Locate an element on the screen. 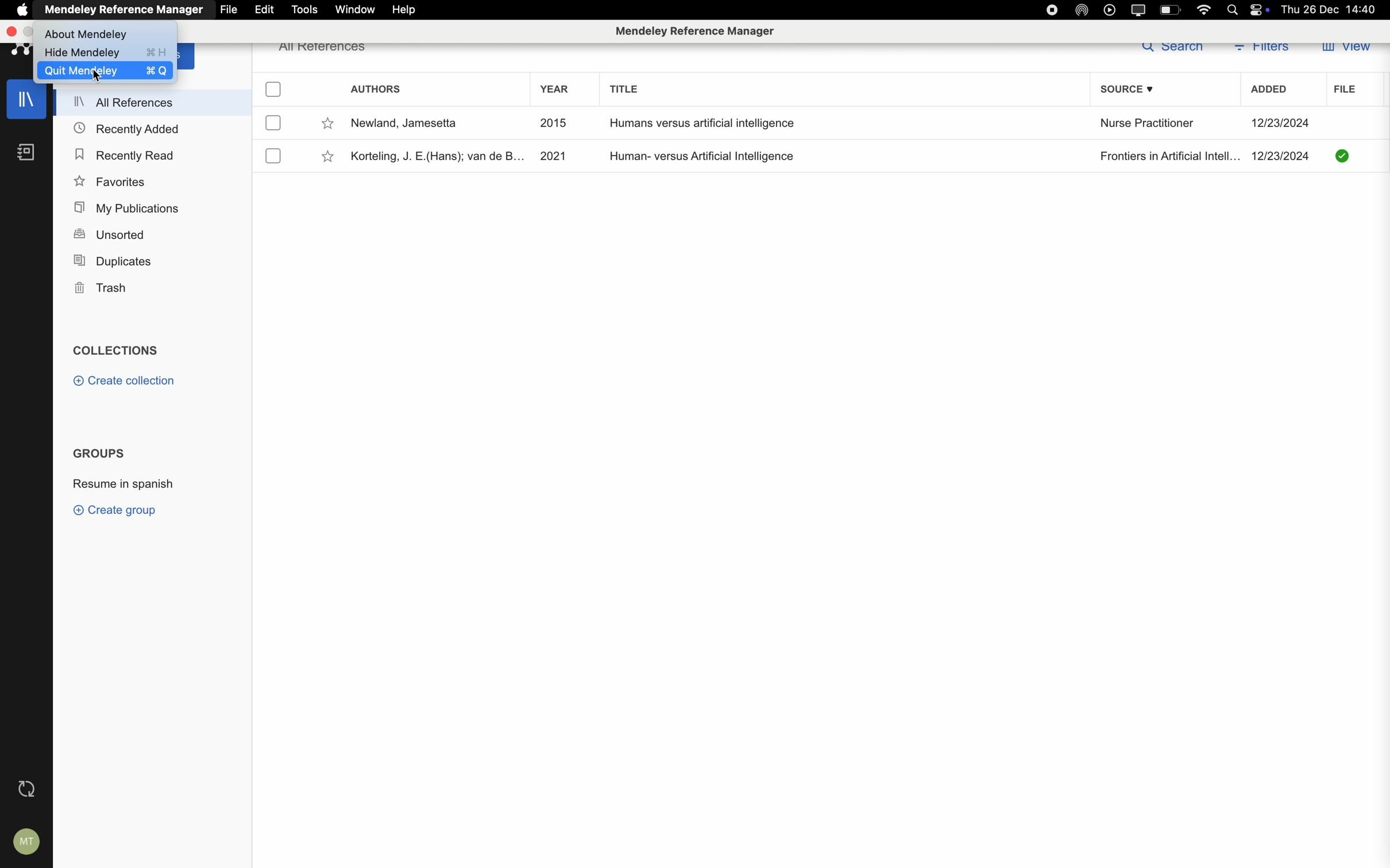 The image size is (1390, 868). view is located at coordinates (1347, 49).